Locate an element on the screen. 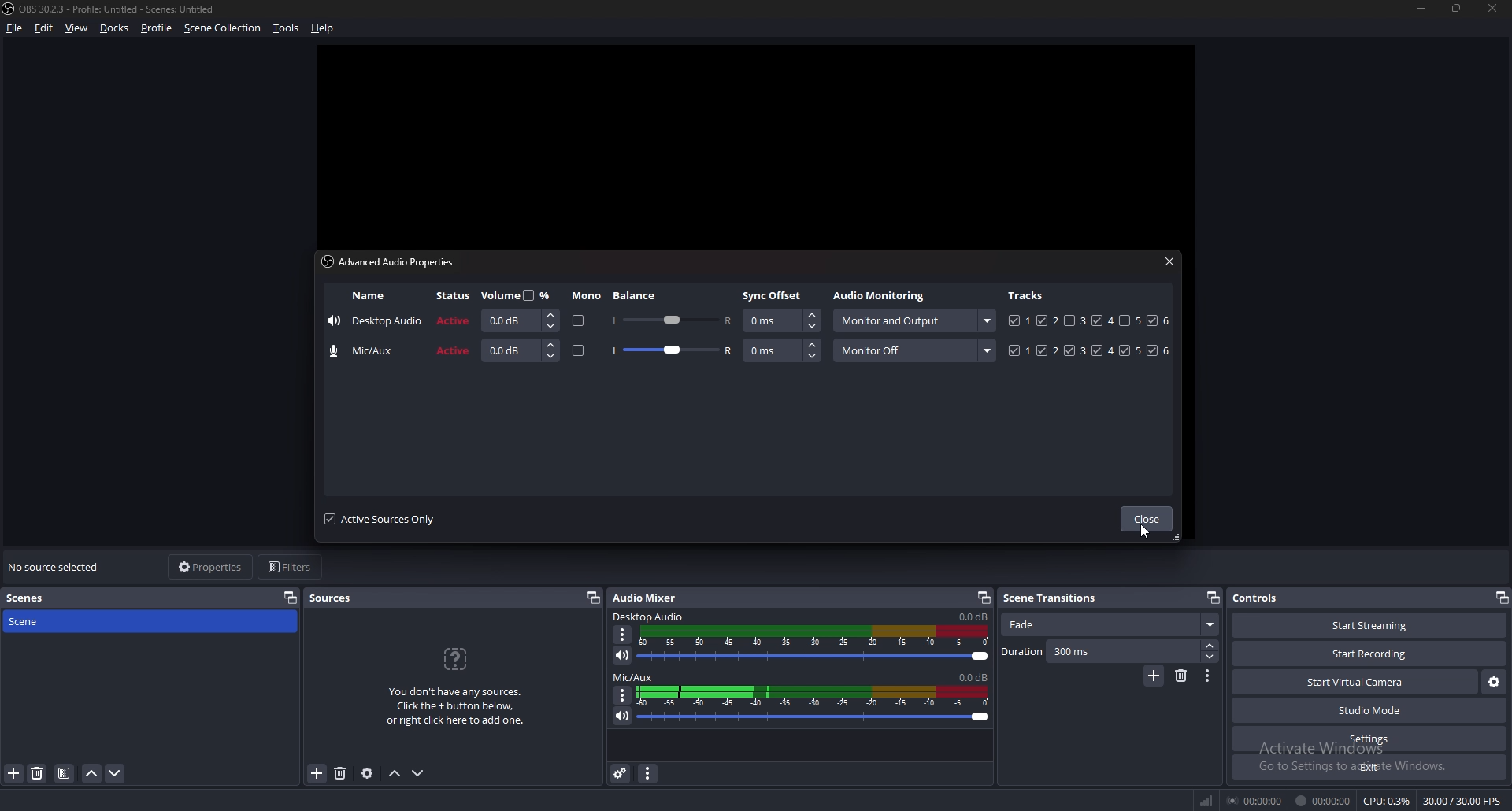  volume is located at coordinates (519, 294).